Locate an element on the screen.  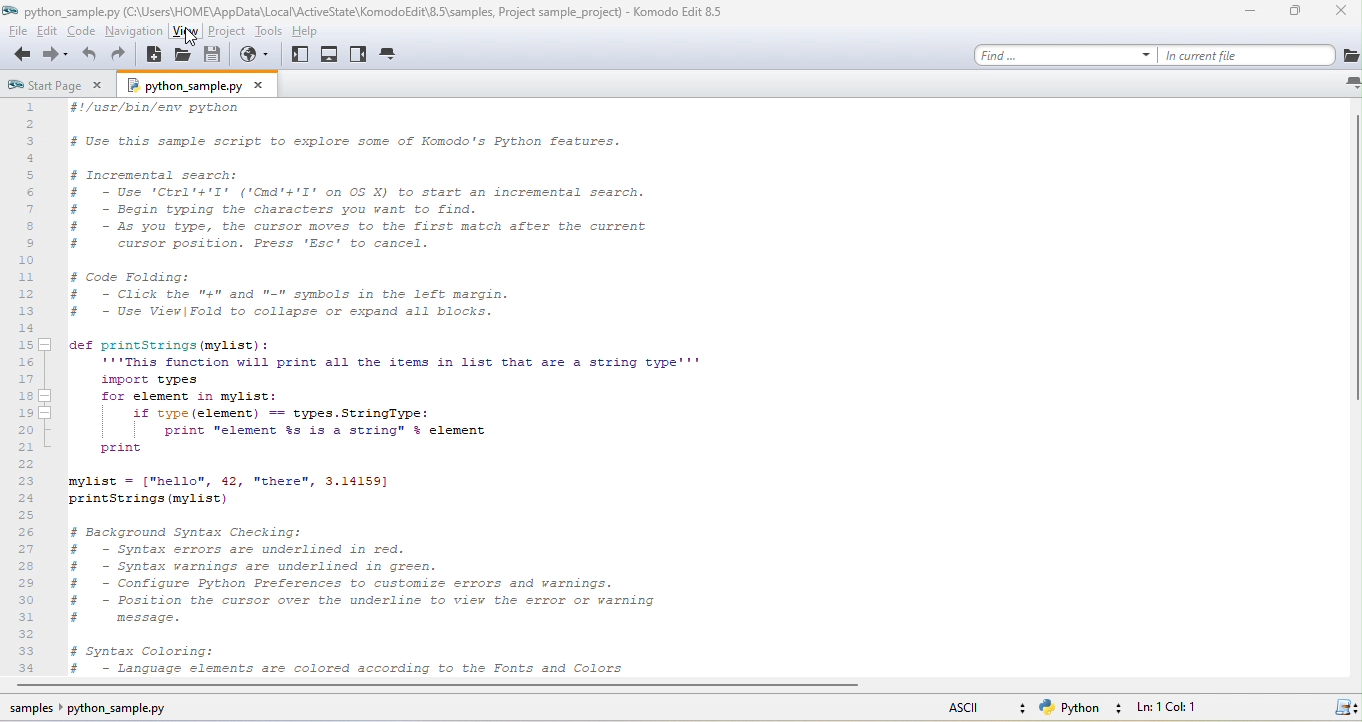
ascii is located at coordinates (985, 709).